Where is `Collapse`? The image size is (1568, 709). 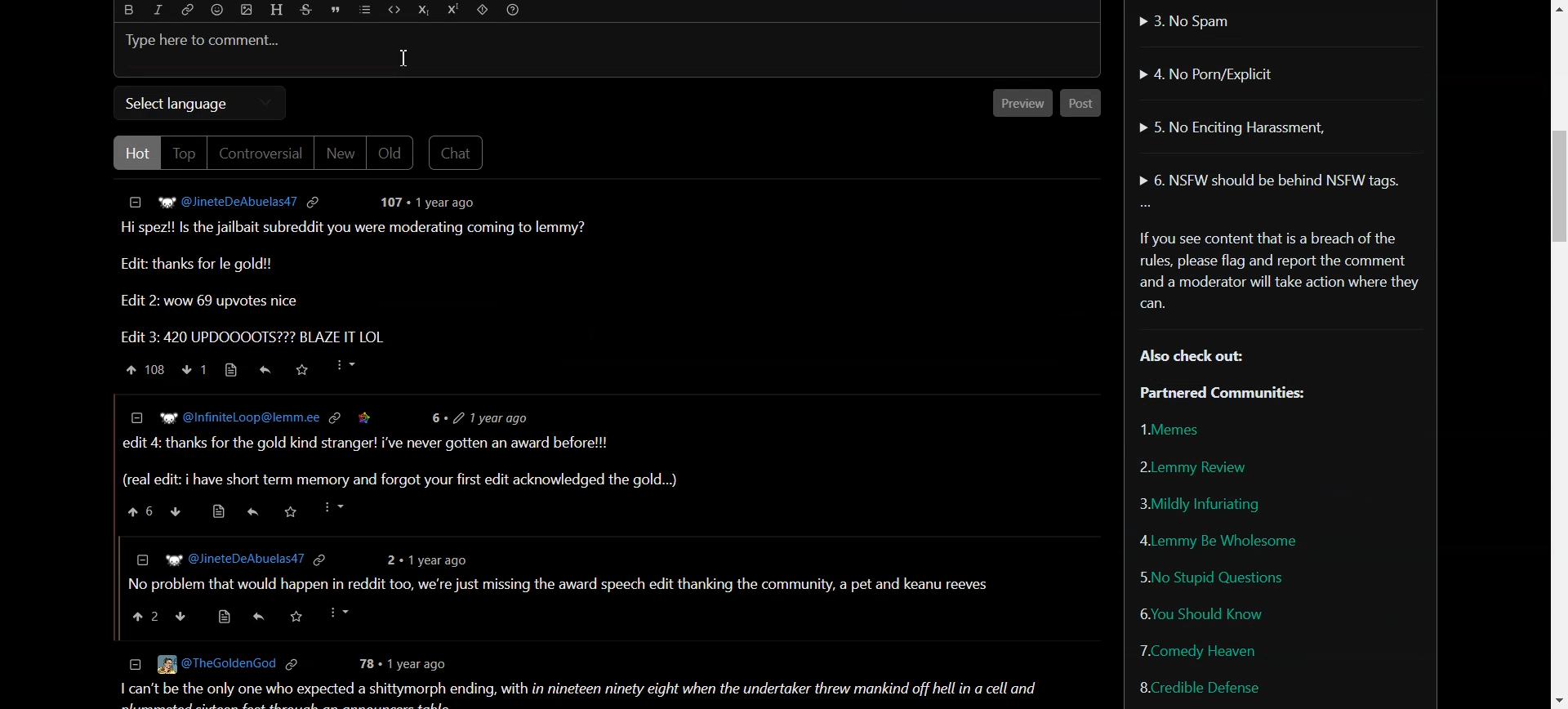
Collapse is located at coordinates (135, 202).